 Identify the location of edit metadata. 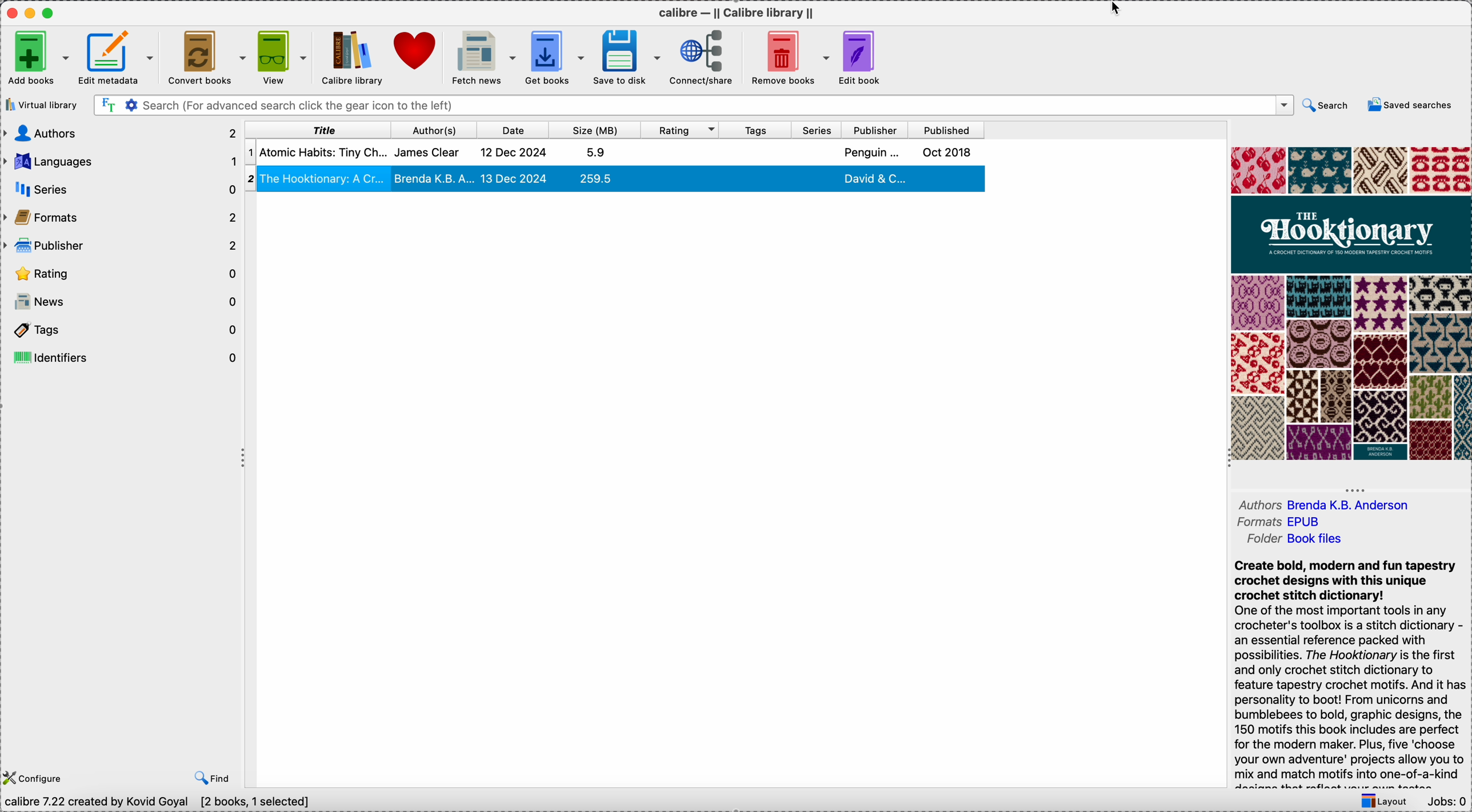
(121, 58).